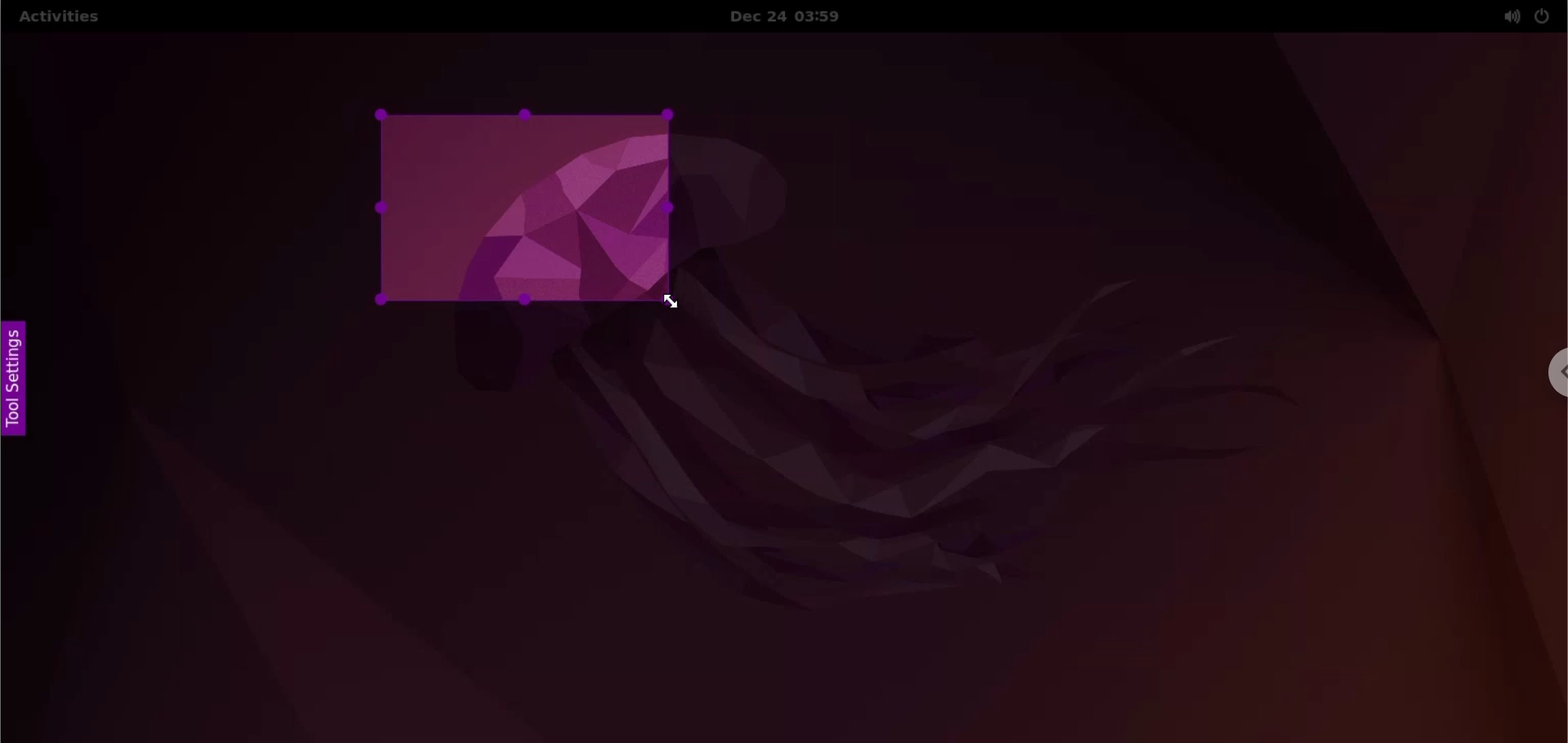 The width and height of the screenshot is (1568, 743). What do you see at coordinates (797, 17) in the screenshot?
I see `Date and time` at bounding box center [797, 17].